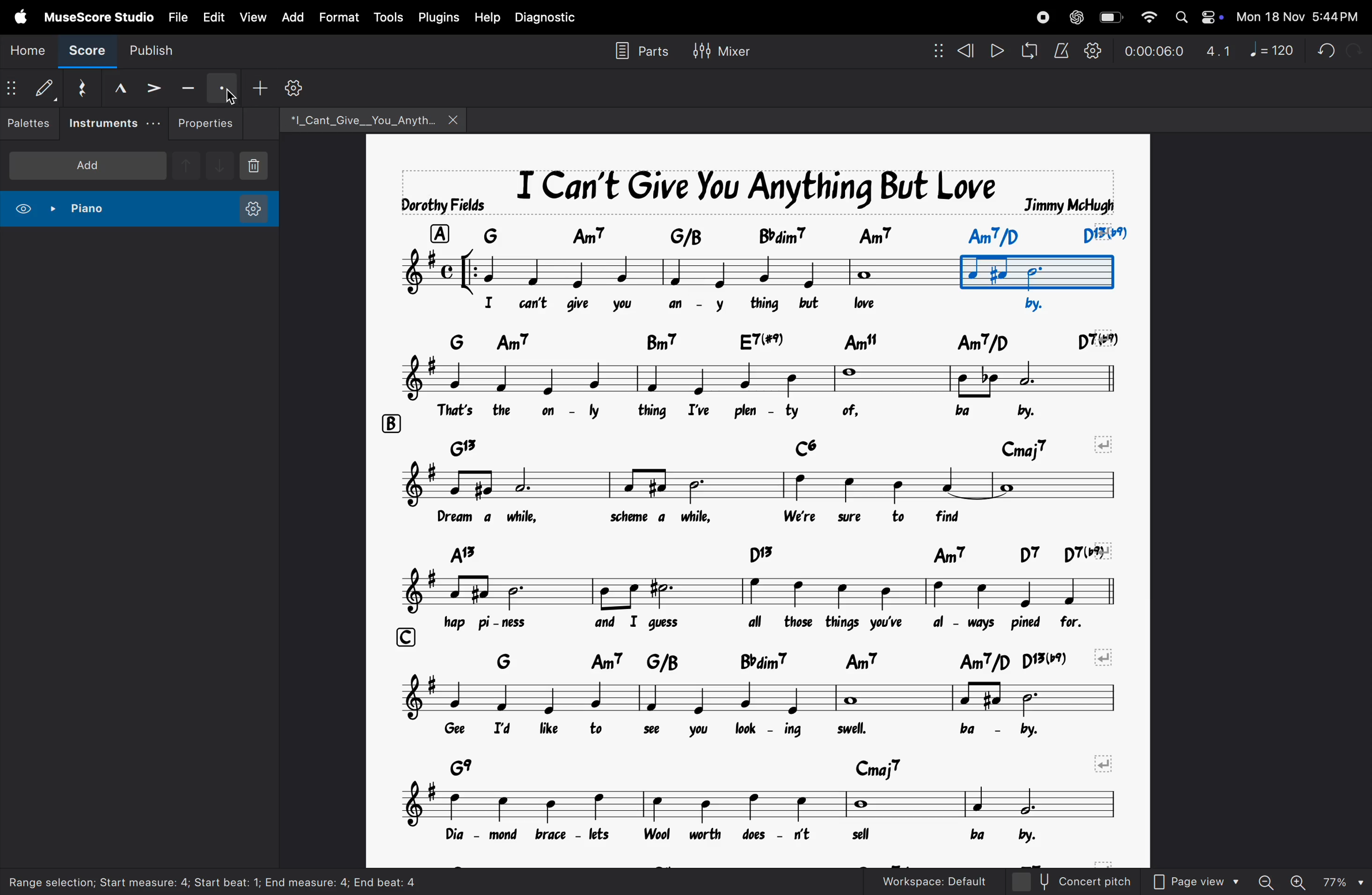 This screenshot has height=895, width=1372. I want to click on chatgpt, so click(1075, 16).